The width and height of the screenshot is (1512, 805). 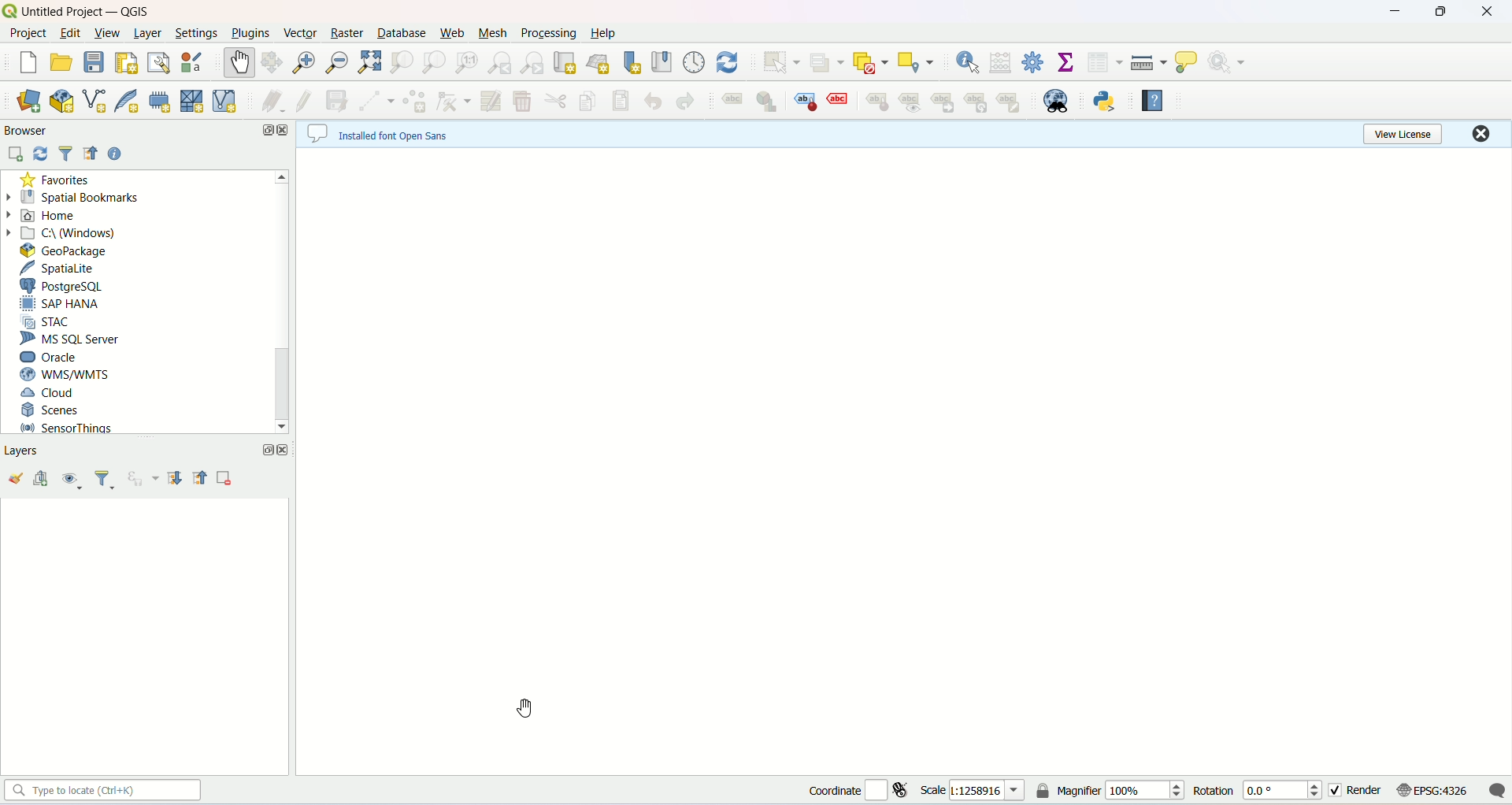 What do you see at coordinates (913, 103) in the screenshot?
I see `show/hide labels and diagram` at bounding box center [913, 103].